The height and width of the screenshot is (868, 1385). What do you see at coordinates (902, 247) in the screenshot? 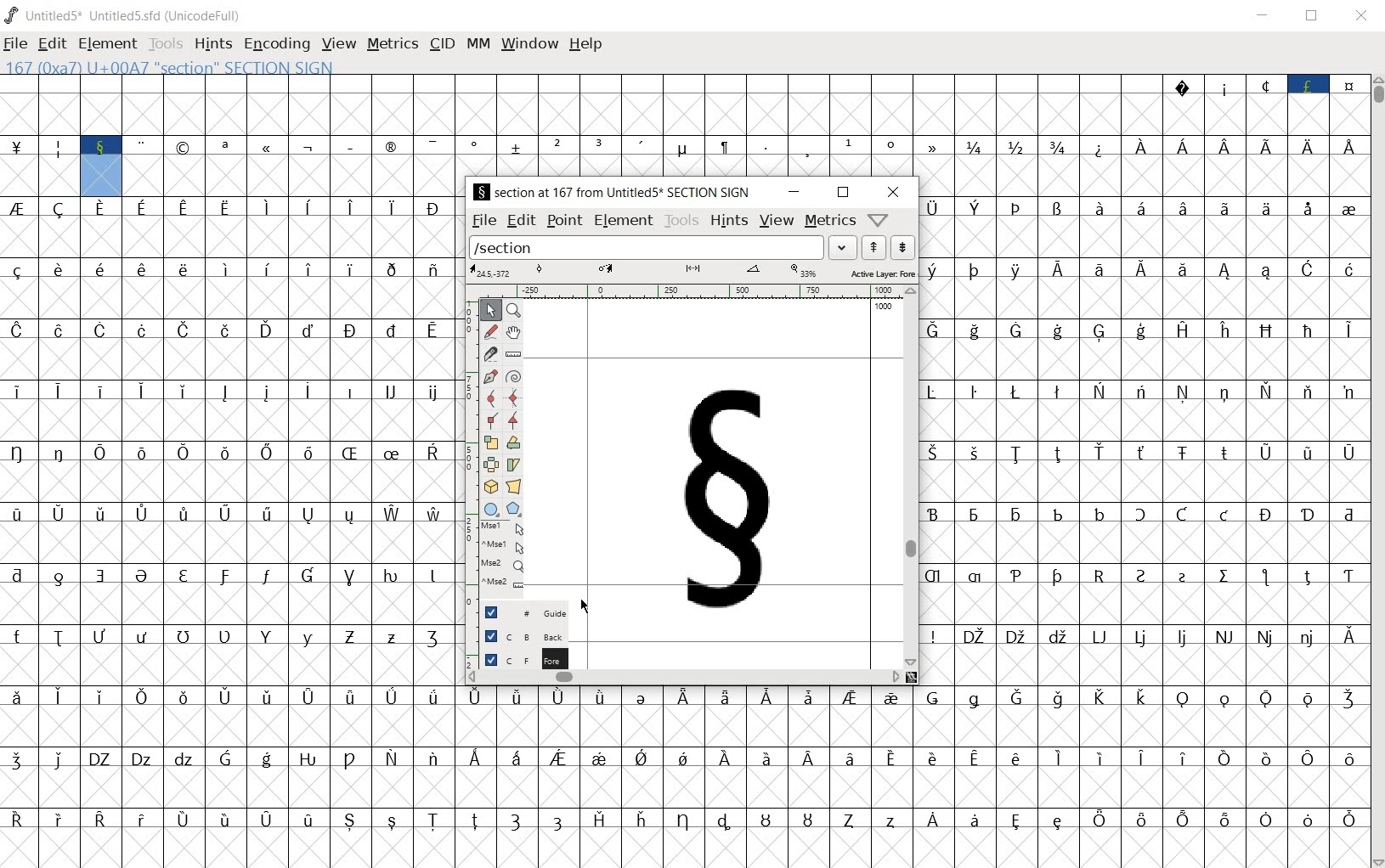
I see `show the previous word on the list` at bounding box center [902, 247].